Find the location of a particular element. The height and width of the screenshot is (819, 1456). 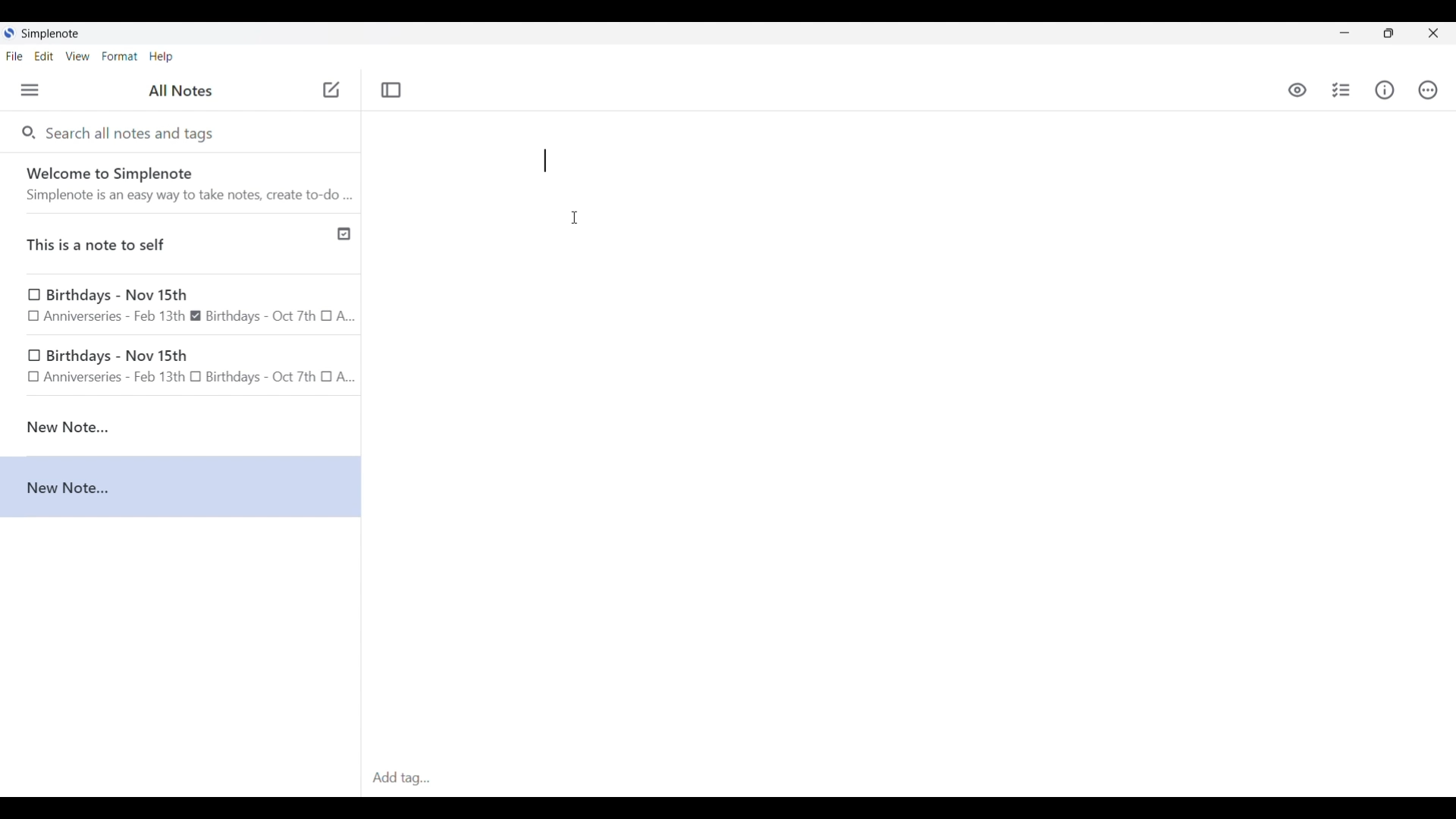

Insert checklist is located at coordinates (1342, 90).